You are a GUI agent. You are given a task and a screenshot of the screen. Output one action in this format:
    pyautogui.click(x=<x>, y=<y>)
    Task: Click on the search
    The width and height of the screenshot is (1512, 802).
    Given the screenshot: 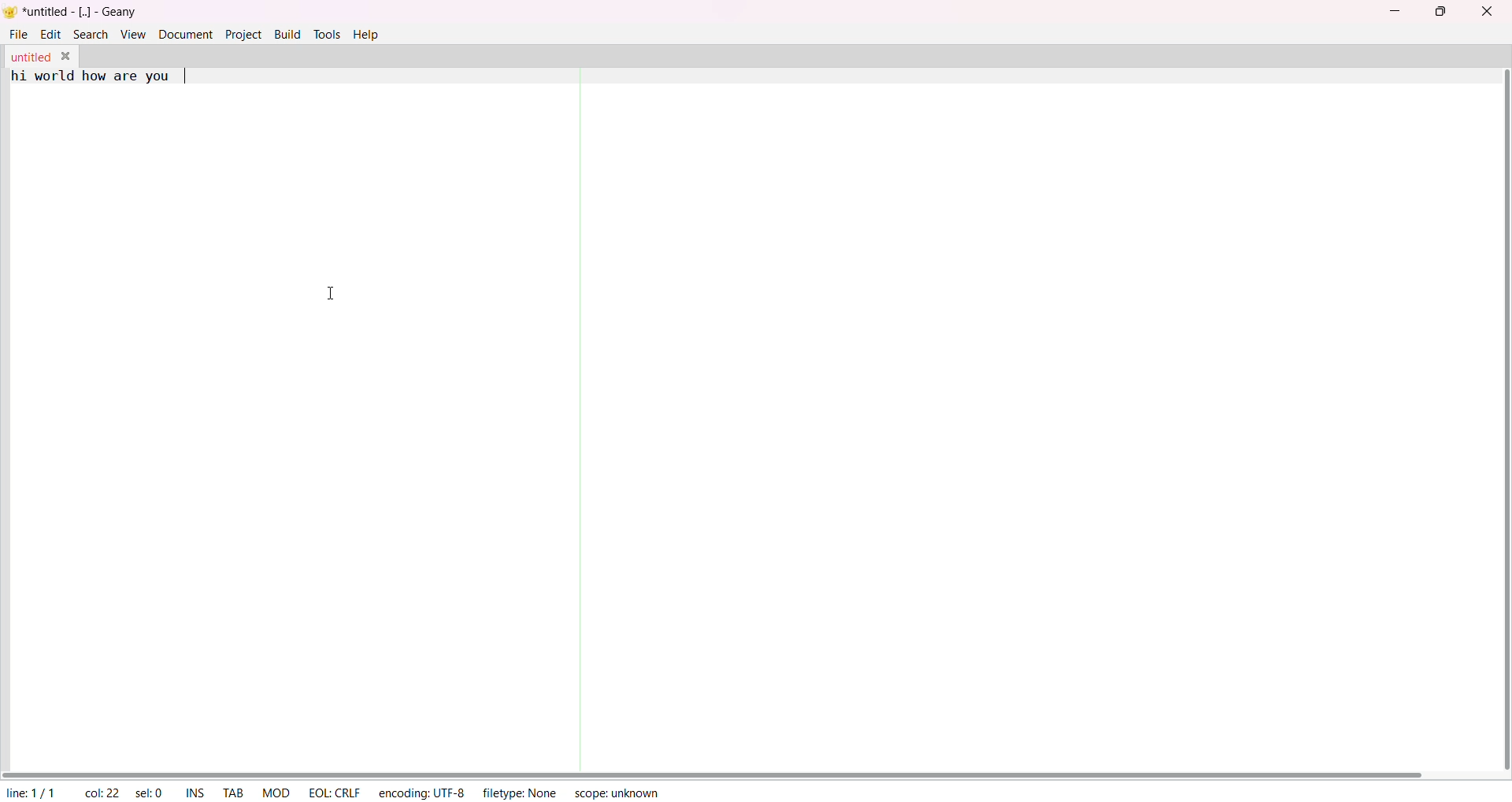 What is the action you would take?
    pyautogui.click(x=90, y=33)
    